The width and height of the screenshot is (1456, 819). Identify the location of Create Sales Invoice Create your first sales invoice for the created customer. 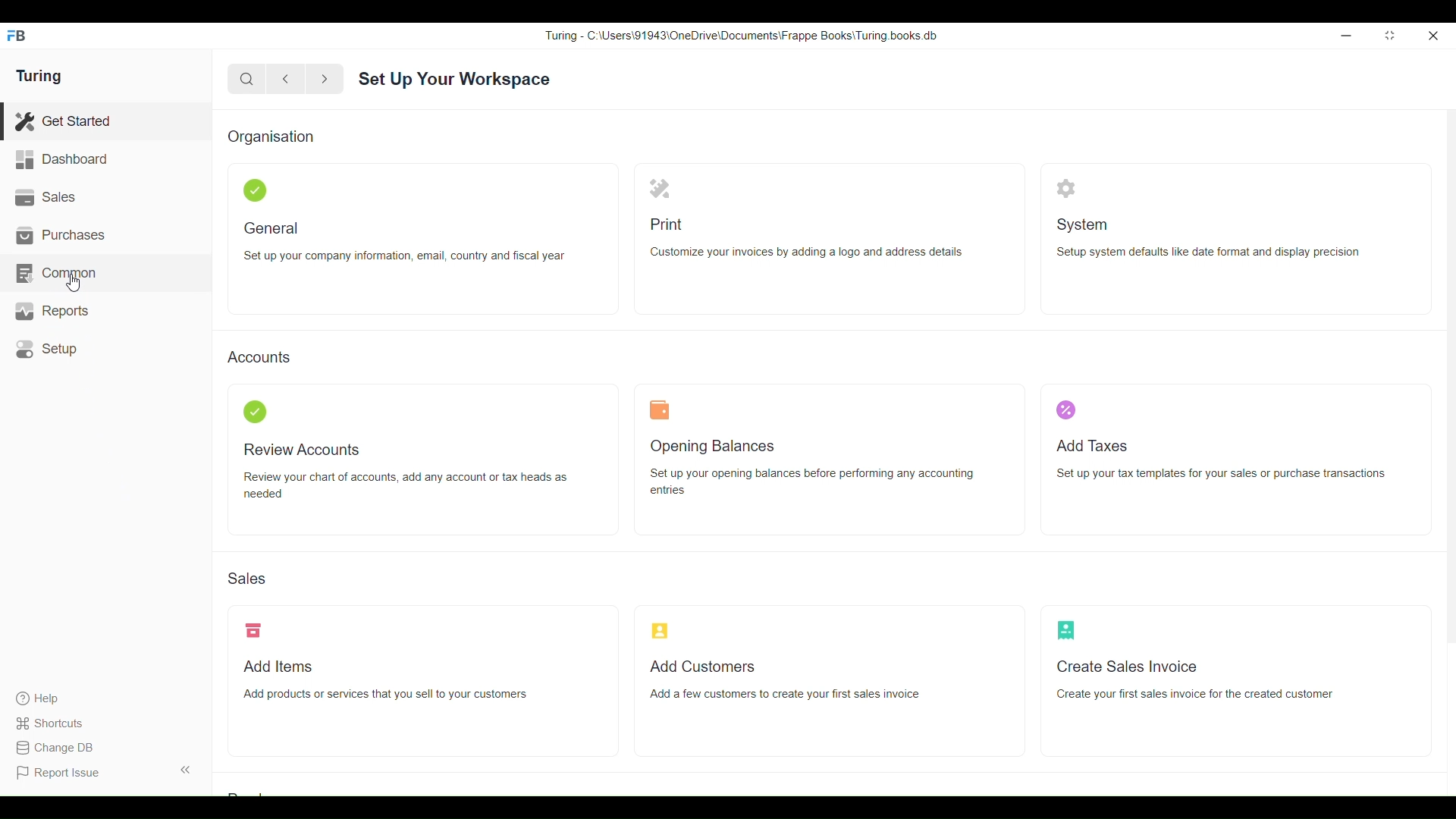
(1194, 679).